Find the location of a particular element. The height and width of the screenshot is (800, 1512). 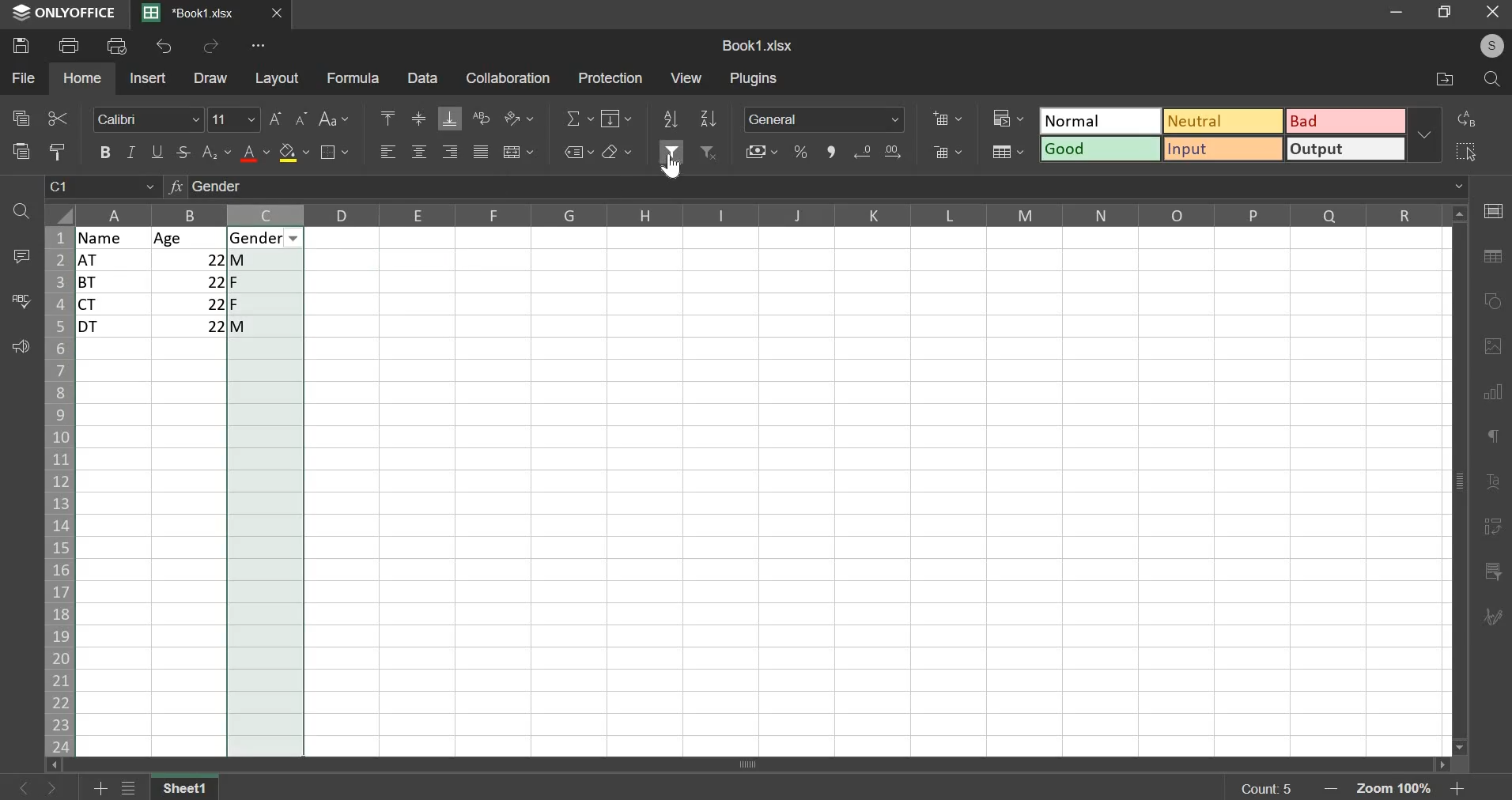

count: 5 is located at coordinates (1264, 788).